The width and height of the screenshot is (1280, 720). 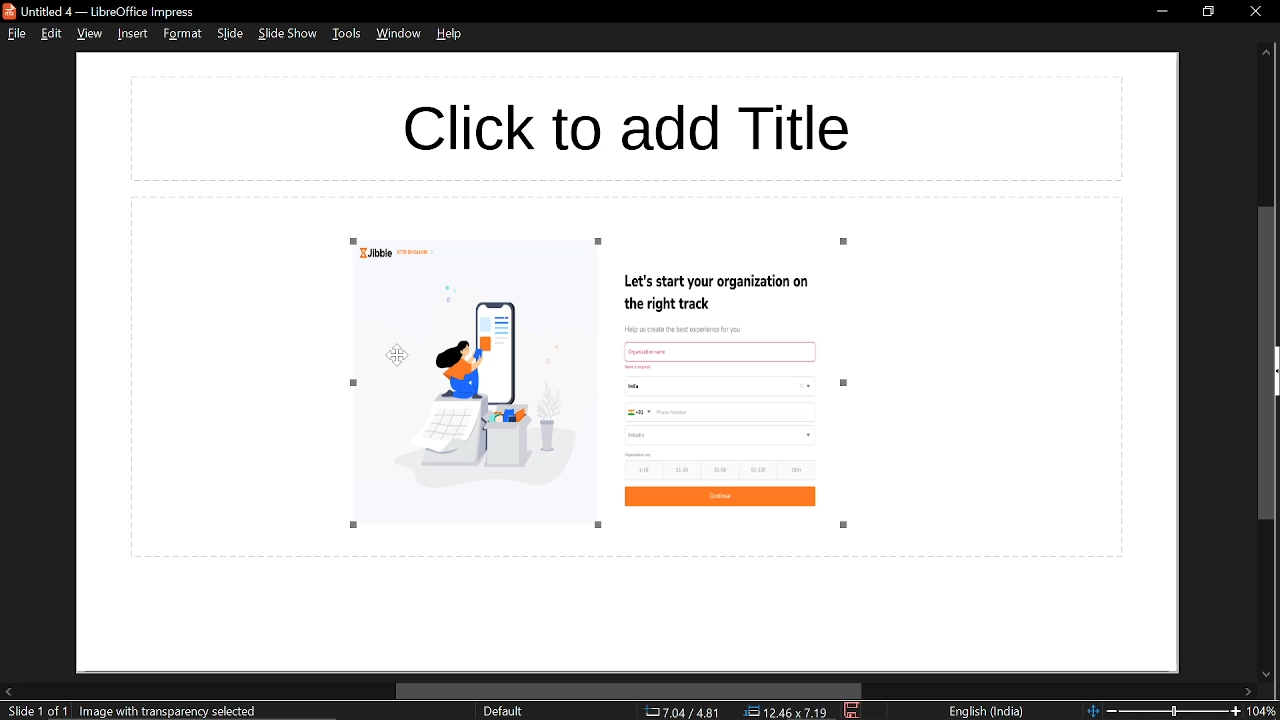 I want to click on vertical scrollbar, so click(x=1267, y=363).